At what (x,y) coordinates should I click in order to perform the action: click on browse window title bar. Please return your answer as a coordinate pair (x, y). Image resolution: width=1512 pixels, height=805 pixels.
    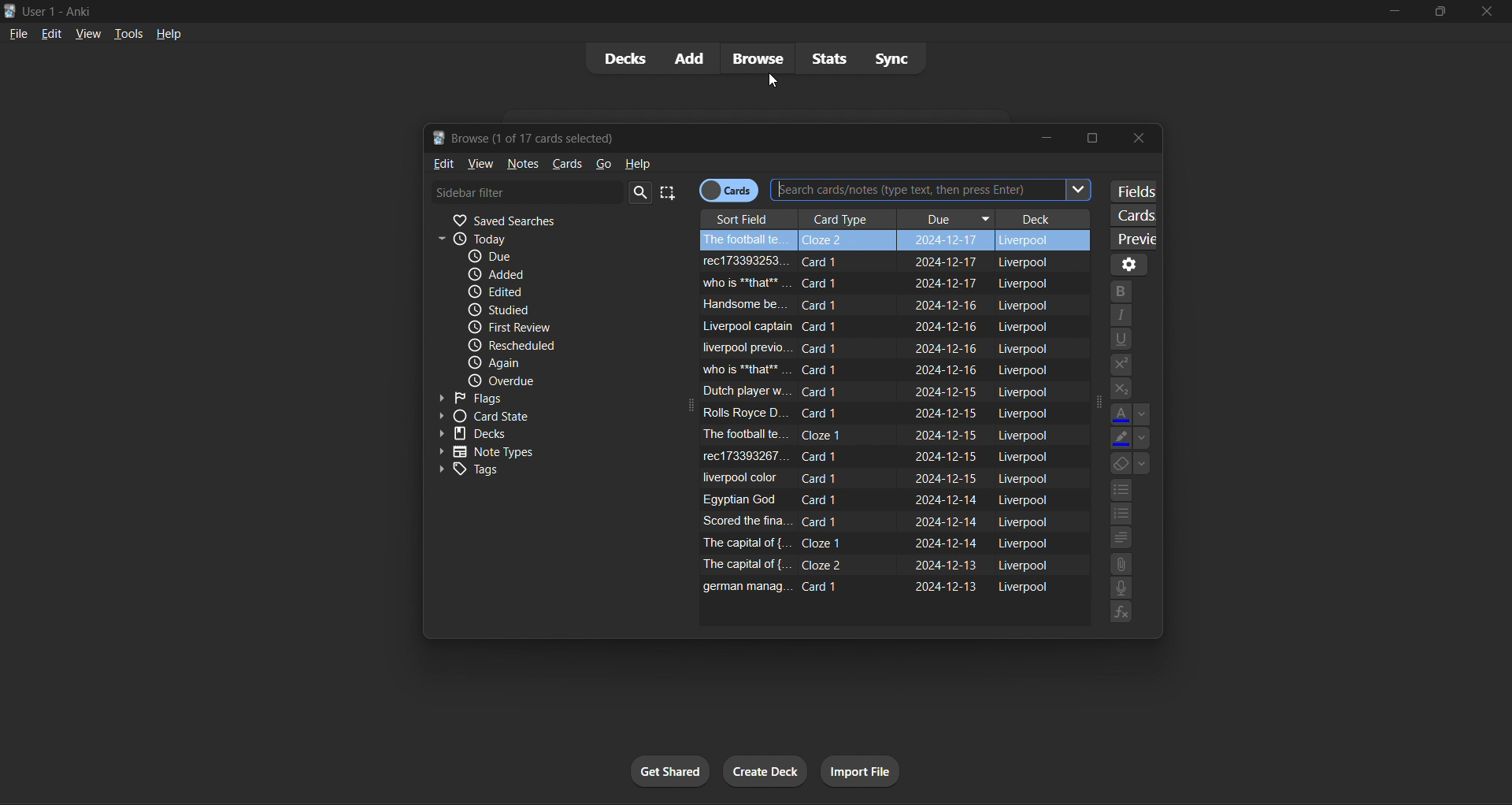
    Looking at the image, I should click on (532, 137).